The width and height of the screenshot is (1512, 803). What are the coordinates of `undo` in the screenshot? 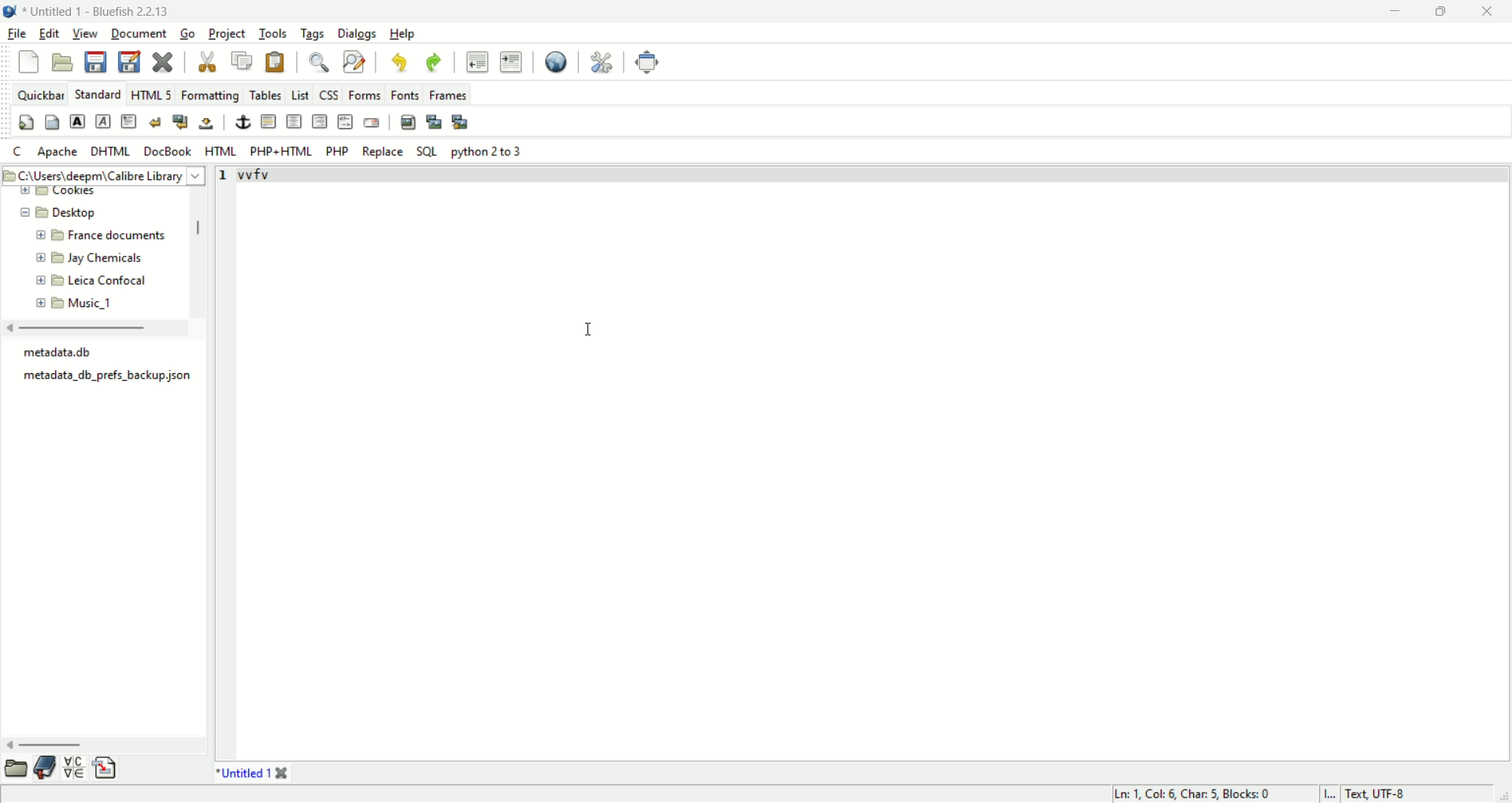 It's located at (399, 61).